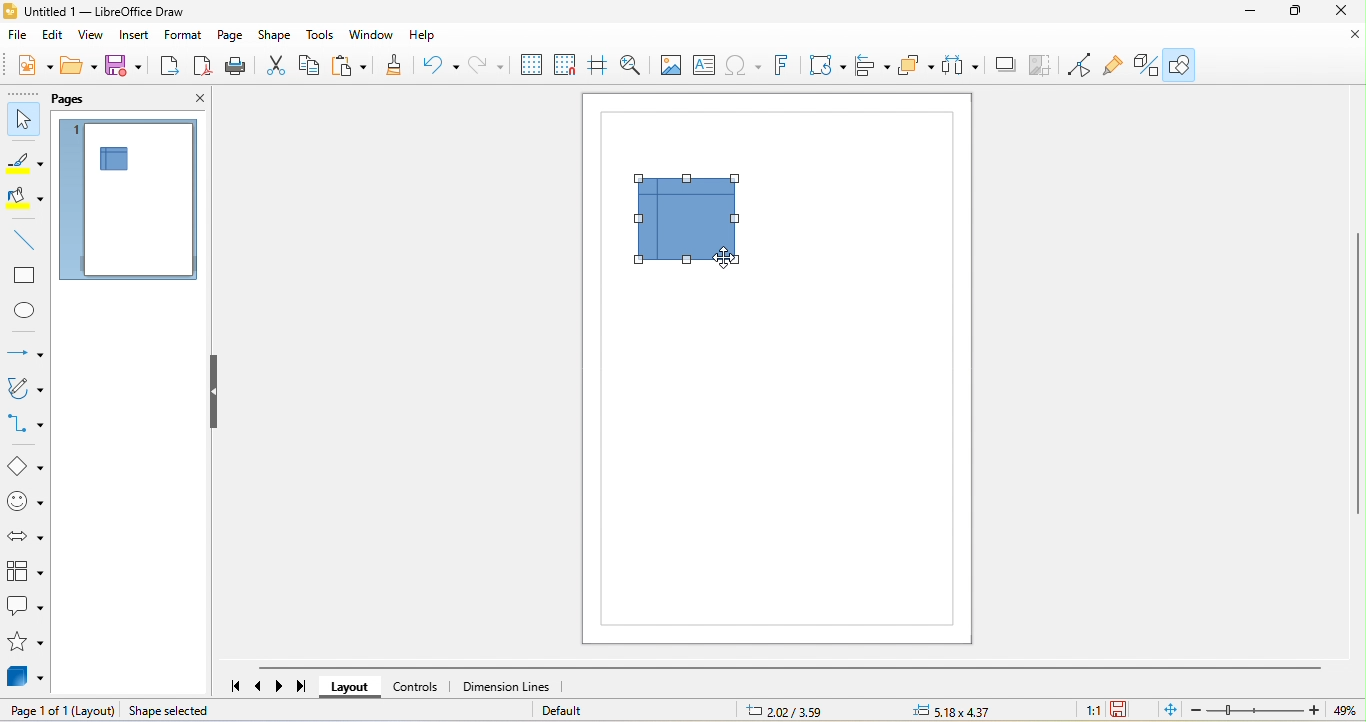 The height and width of the screenshot is (722, 1366). What do you see at coordinates (633, 65) in the screenshot?
I see `zoom and pan` at bounding box center [633, 65].